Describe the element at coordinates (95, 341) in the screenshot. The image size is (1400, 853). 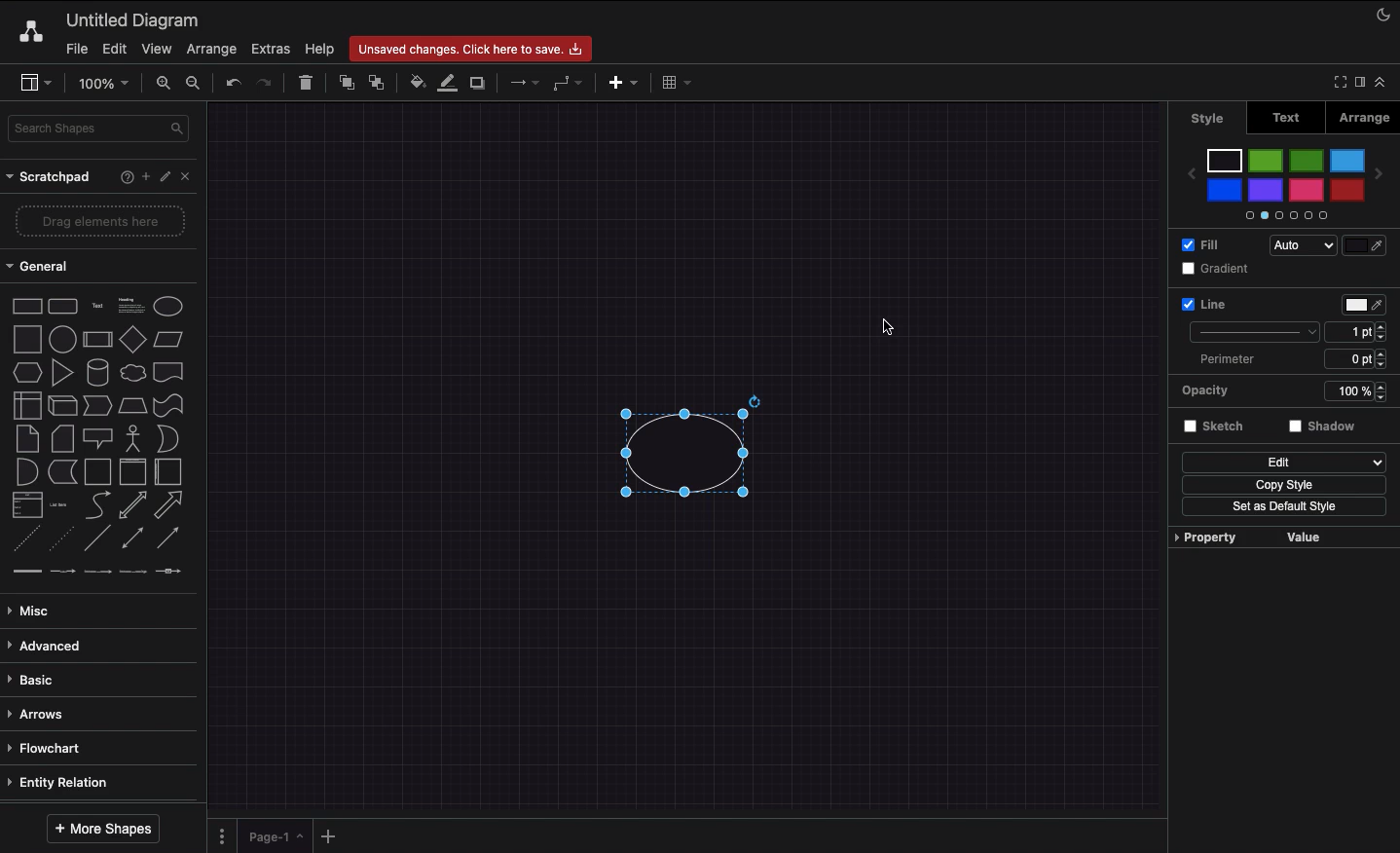
I see `Process` at that location.